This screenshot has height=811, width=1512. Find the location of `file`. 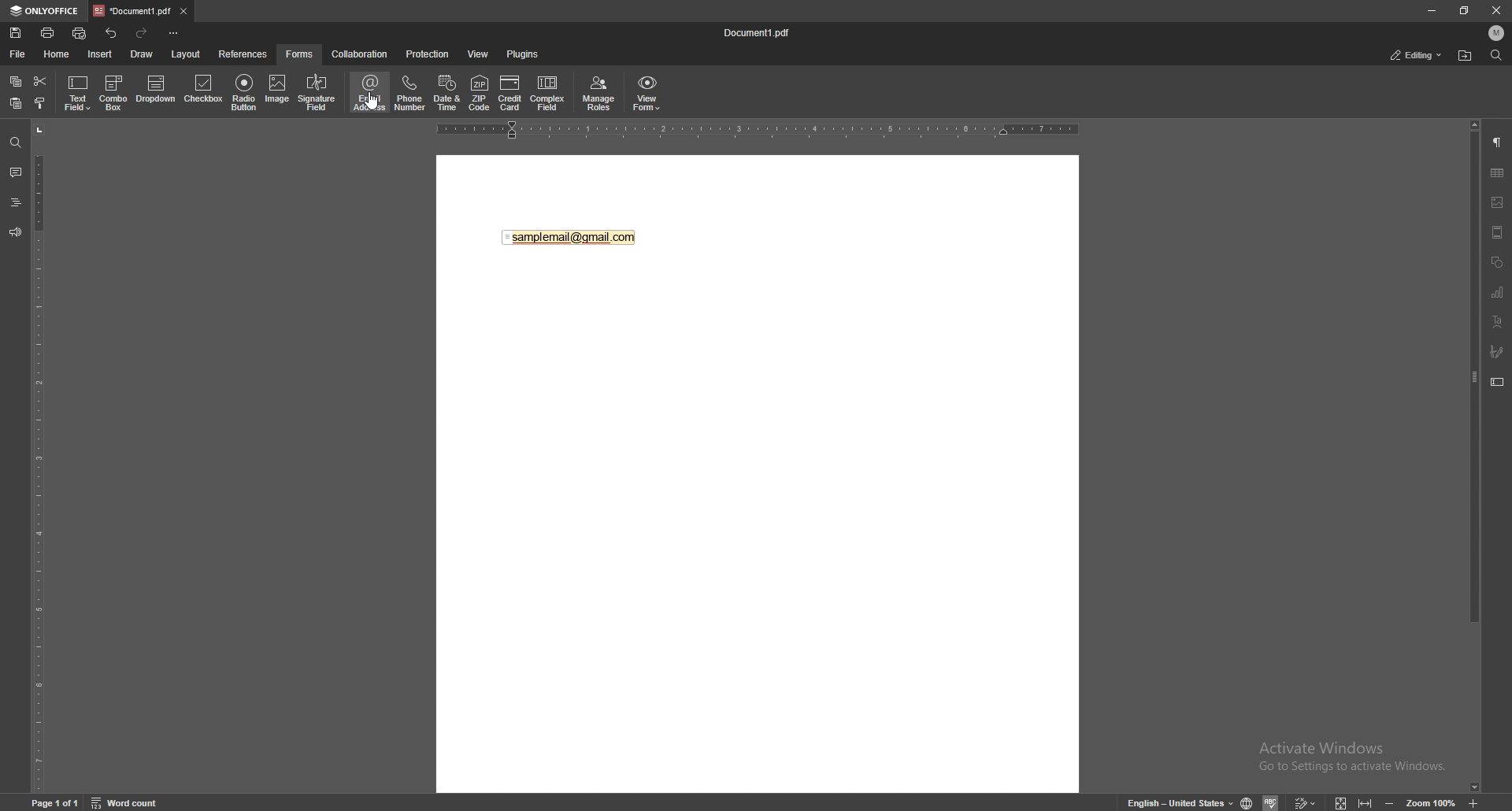

file is located at coordinates (17, 54).